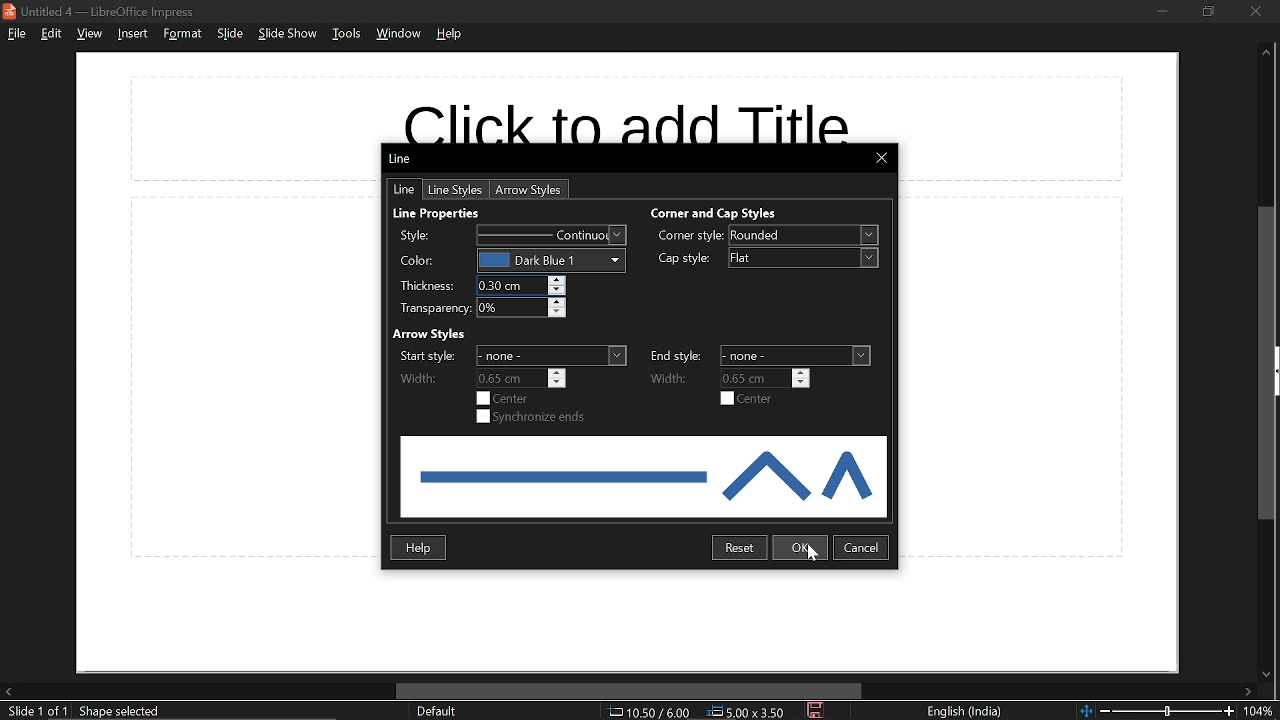 The width and height of the screenshot is (1280, 720). I want to click on view, so click(90, 34).